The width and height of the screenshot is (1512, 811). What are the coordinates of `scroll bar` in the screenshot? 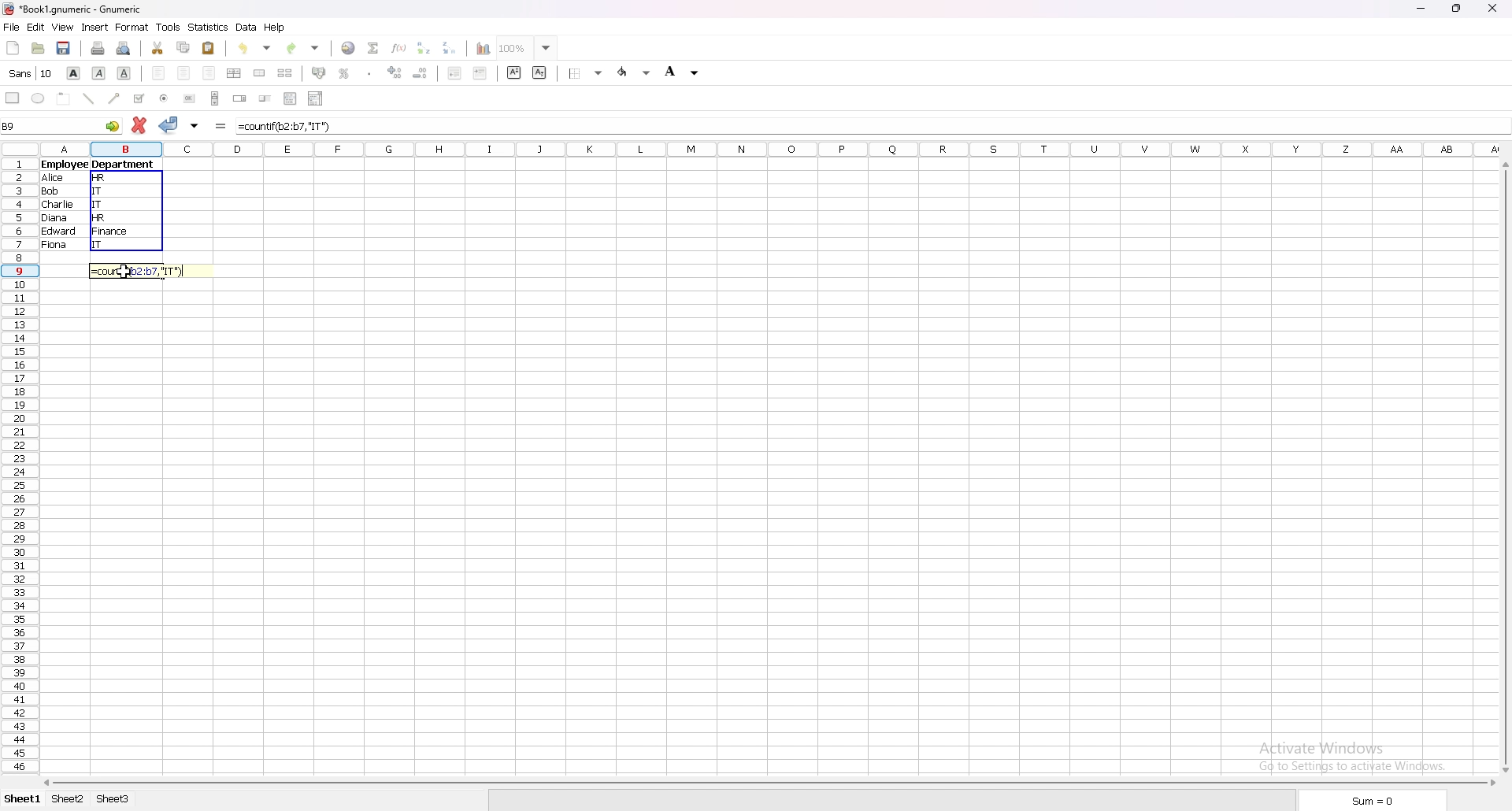 It's located at (216, 98).